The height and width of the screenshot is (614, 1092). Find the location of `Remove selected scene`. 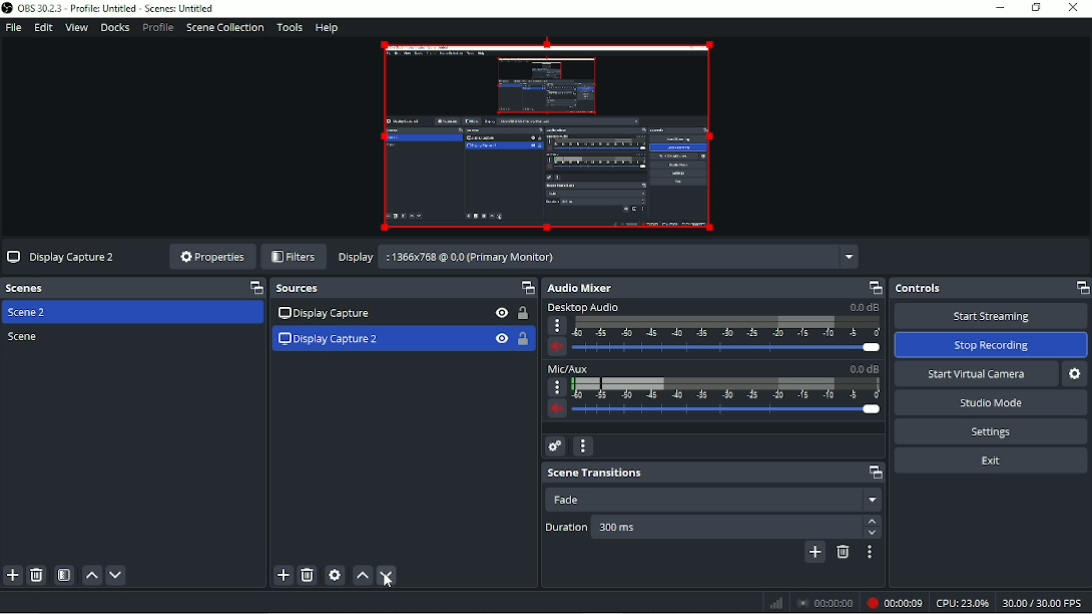

Remove selected scene is located at coordinates (36, 576).